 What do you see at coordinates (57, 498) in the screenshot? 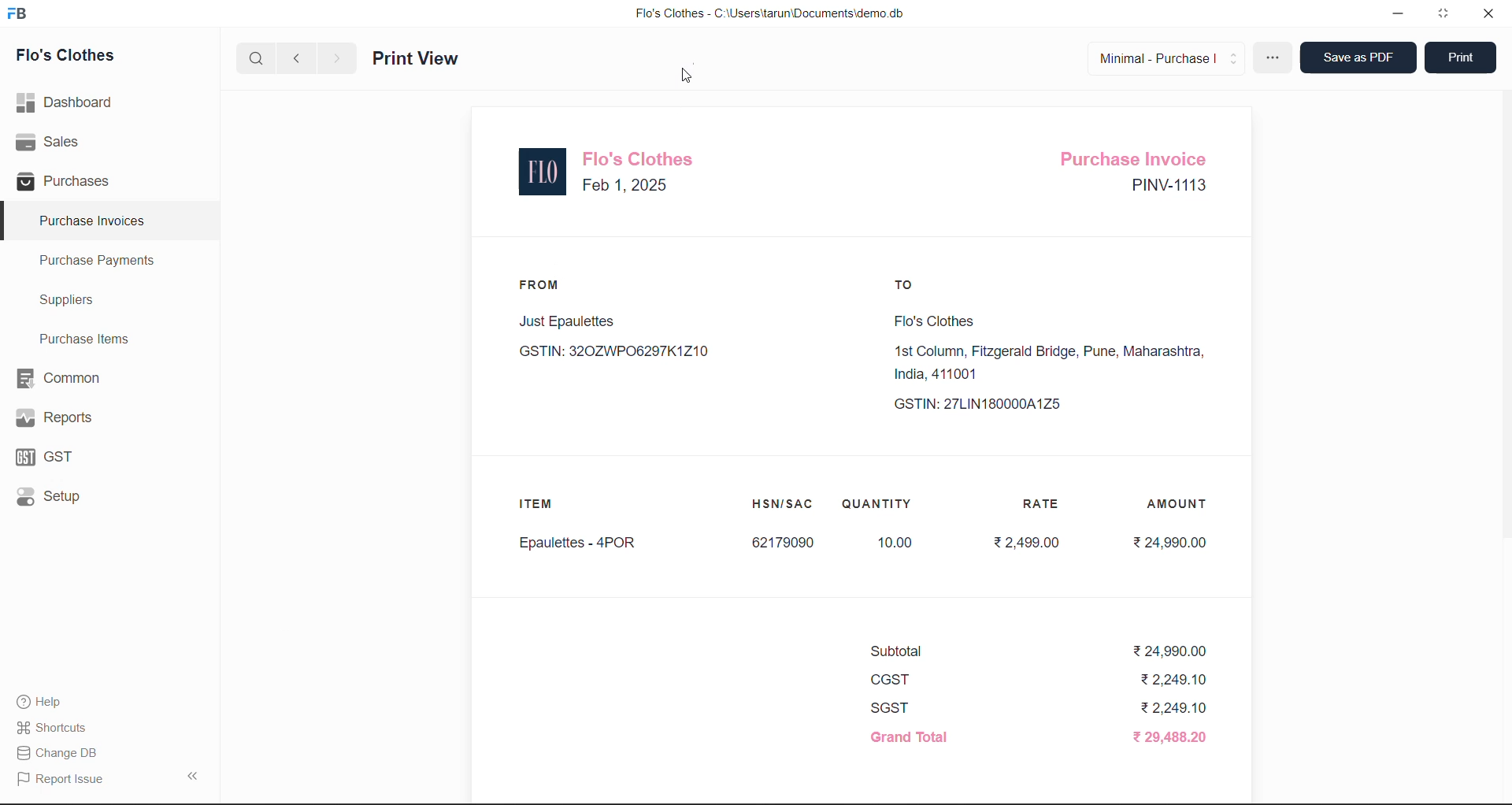
I see `Setup` at bounding box center [57, 498].